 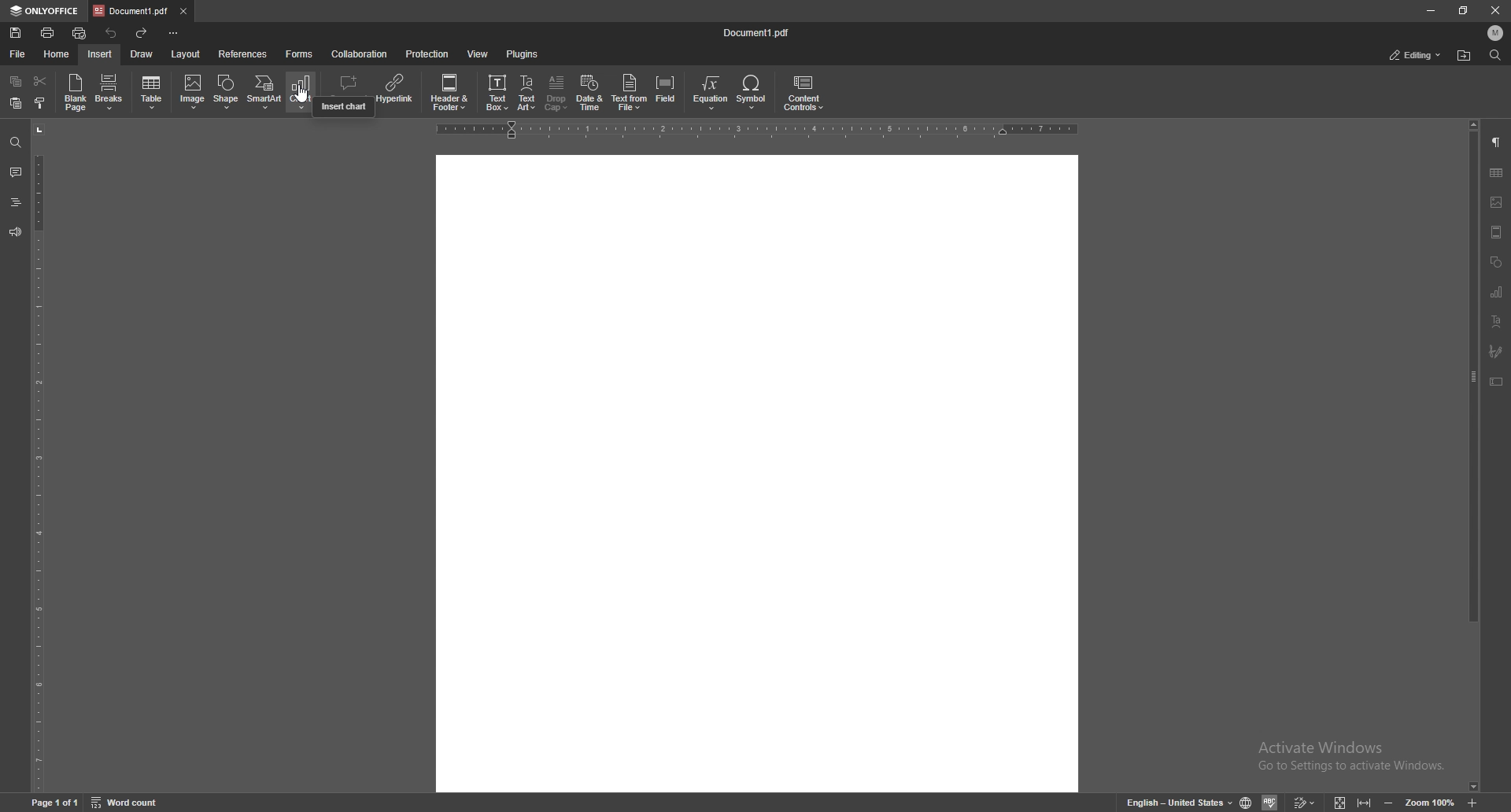 What do you see at coordinates (1498, 173) in the screenshot?
I see `table` at bounding box center [1498, 173].